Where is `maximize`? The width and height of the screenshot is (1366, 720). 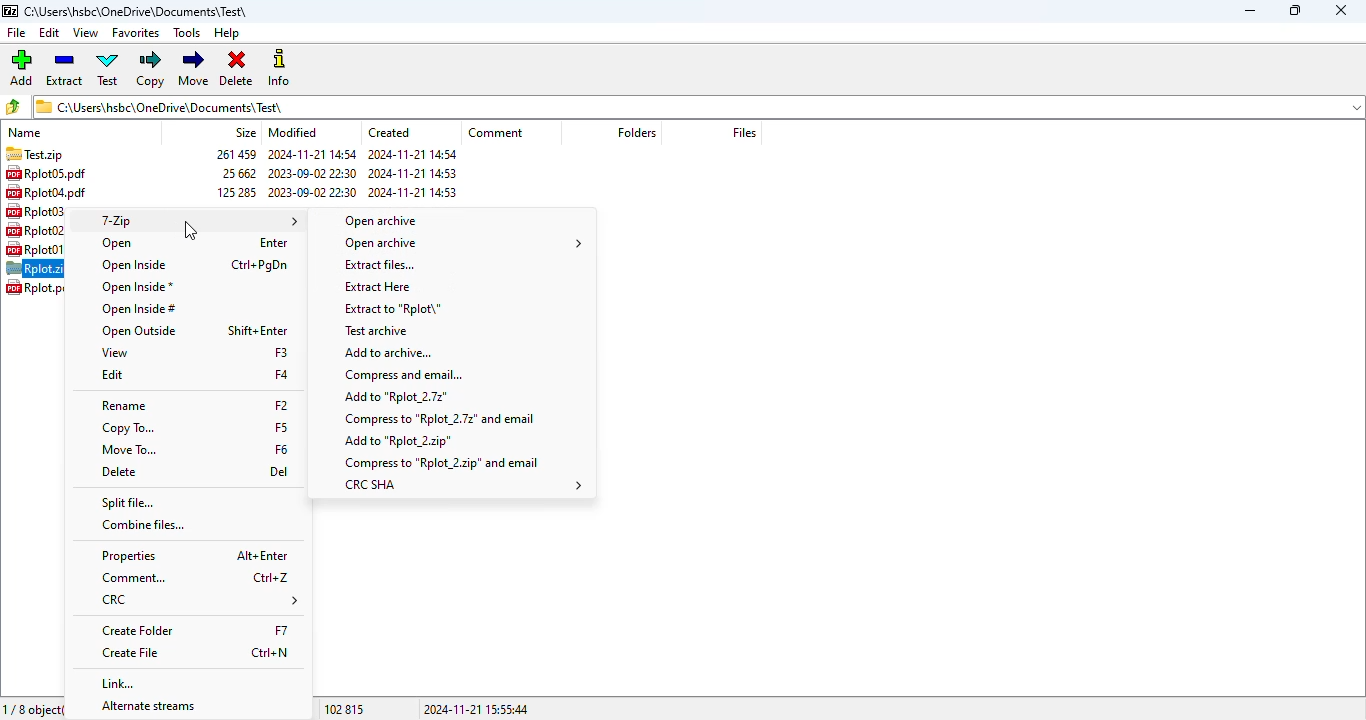 maximize is located at coordinates (1294, 10).